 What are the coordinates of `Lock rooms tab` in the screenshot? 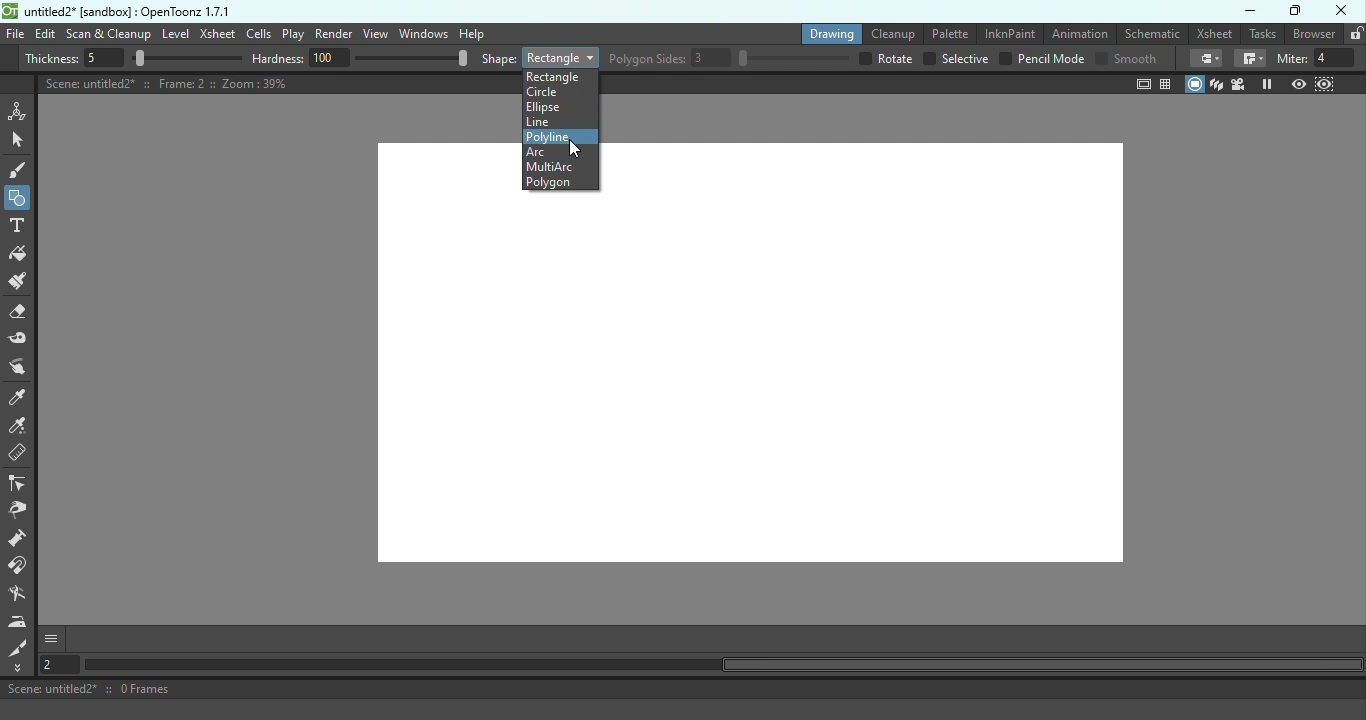 It's located at (1356, 34).